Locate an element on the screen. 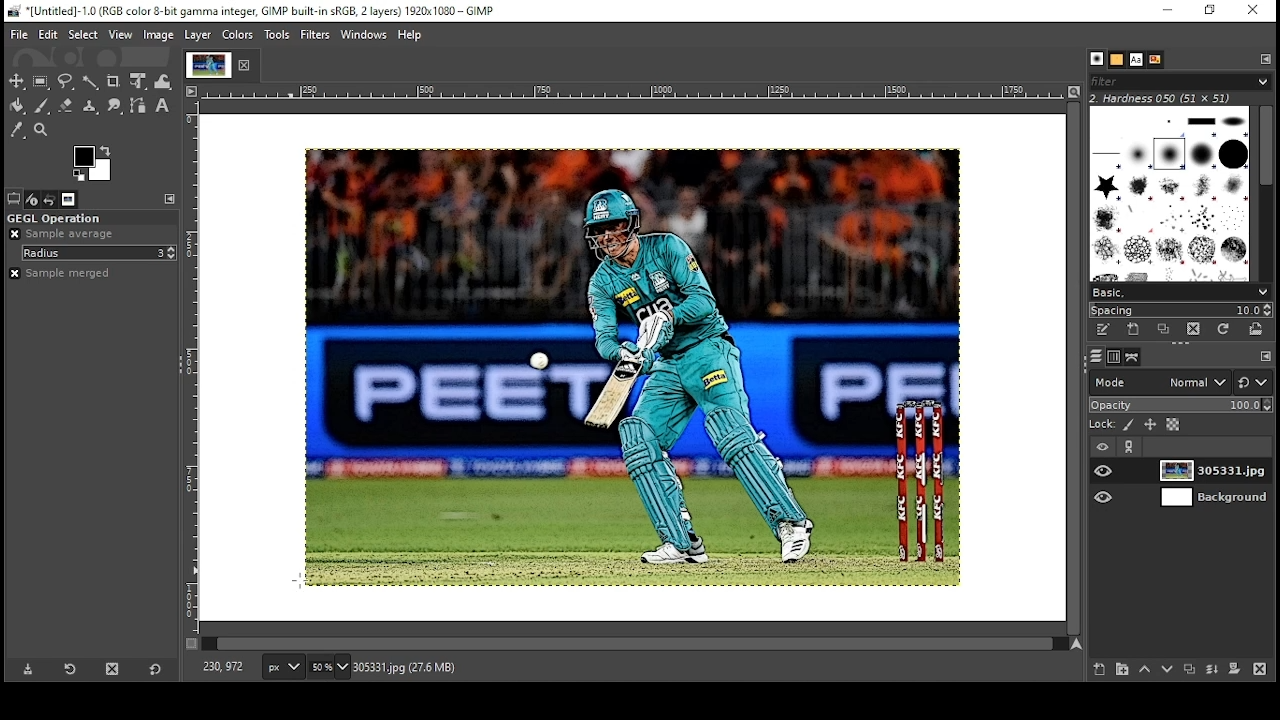  edit this brush is located at coordinates (1104, 329).